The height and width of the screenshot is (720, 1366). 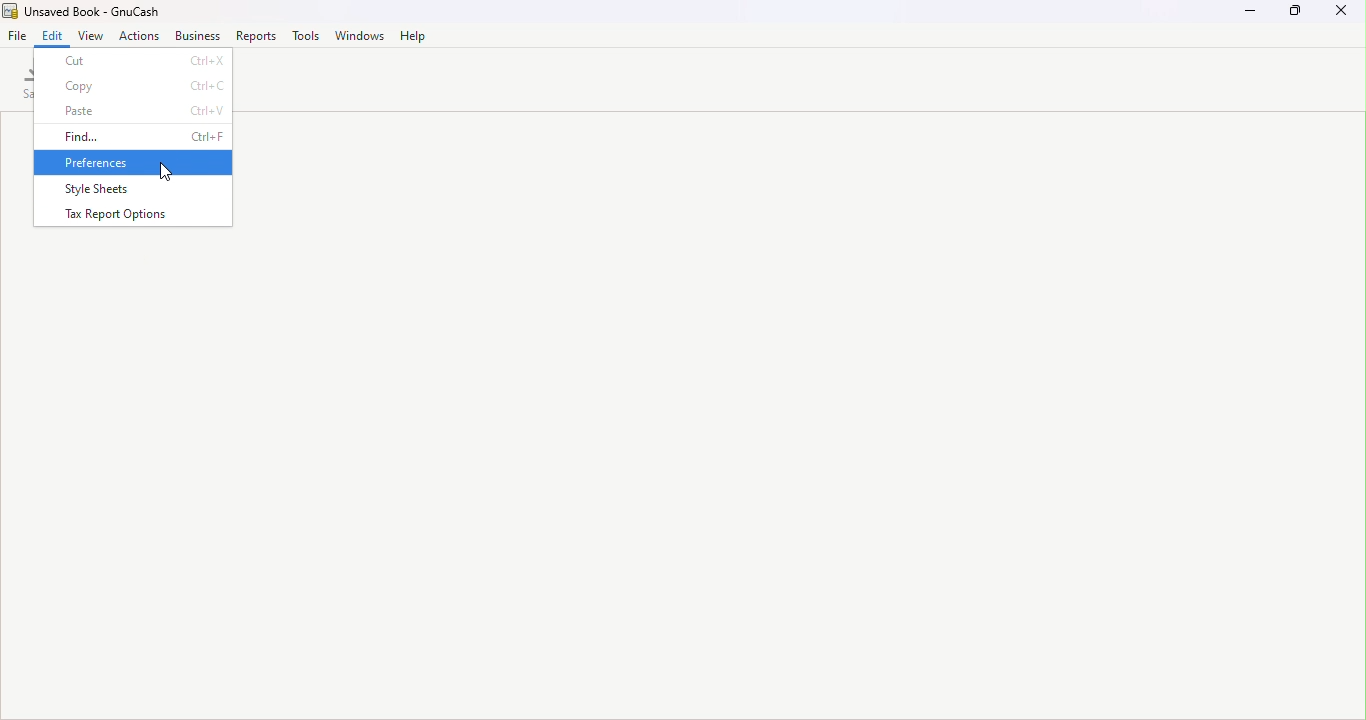 What do you see at coordinates (134, 60) in the screenshot?
I see `Cut` at bounding box center [134, 60].